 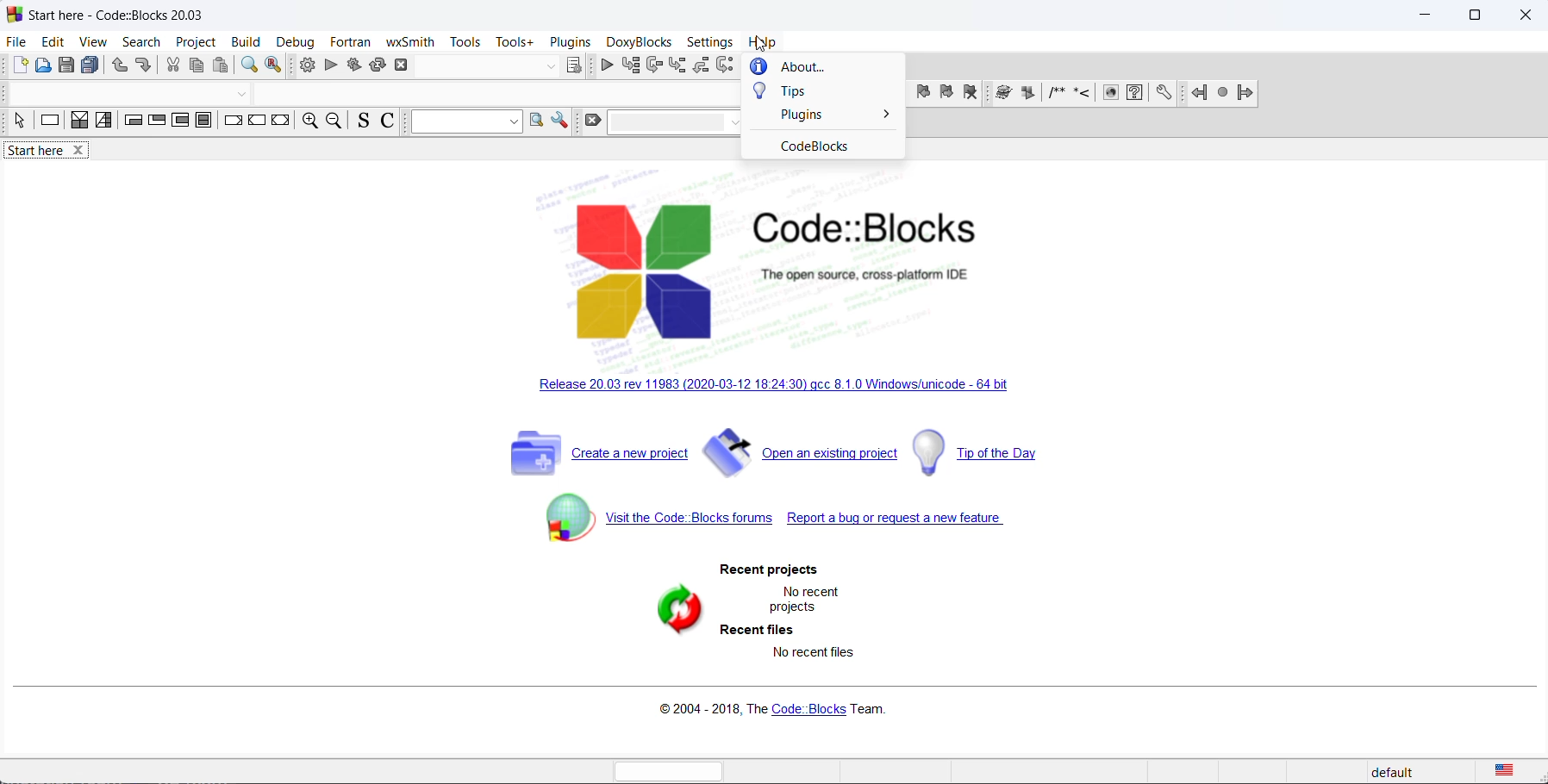 I want to click on start here, so click(x=116, y=16).